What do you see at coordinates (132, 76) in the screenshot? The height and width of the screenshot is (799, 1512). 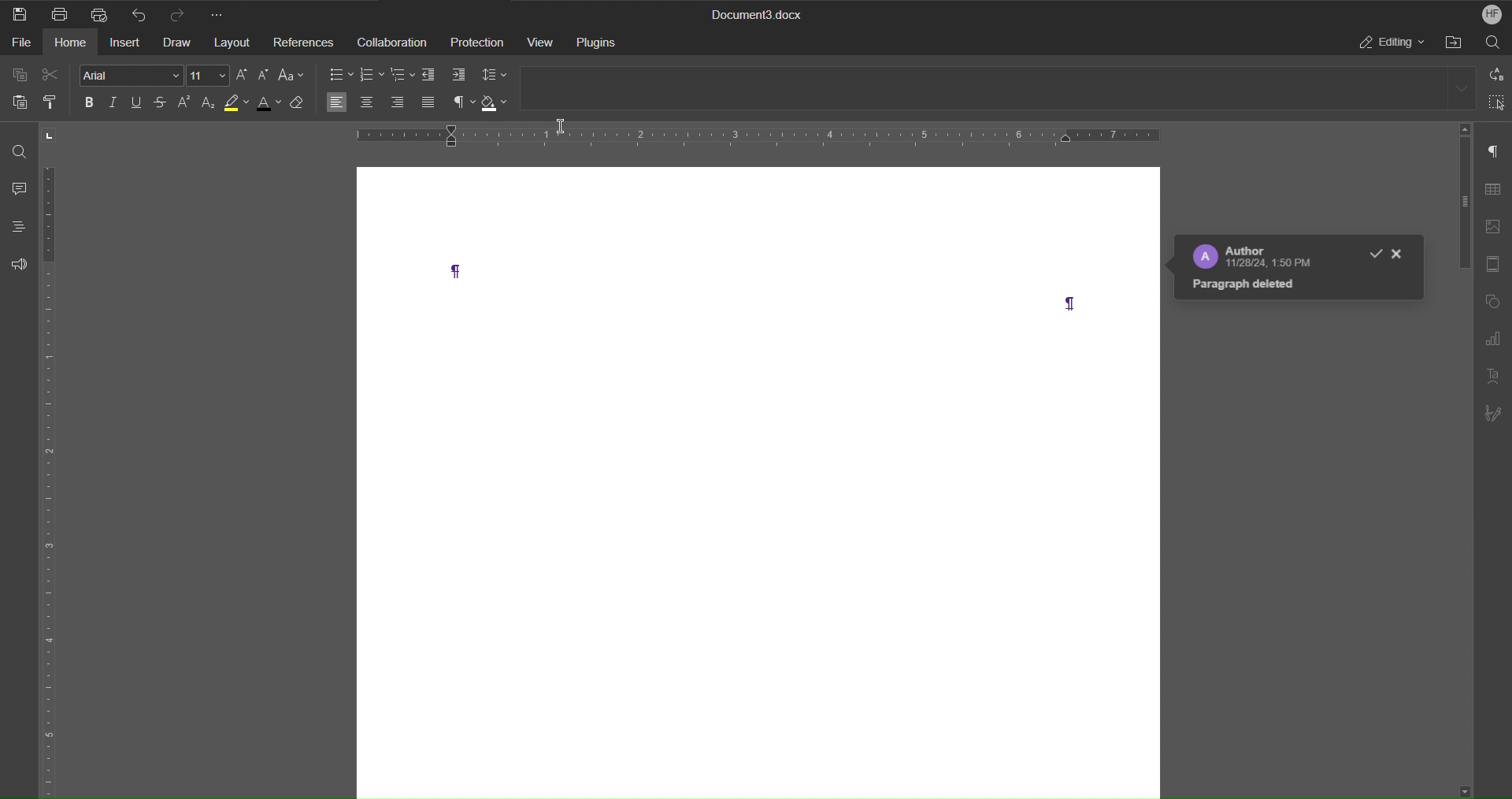 I see `arial` at bounding box center [132, 76].